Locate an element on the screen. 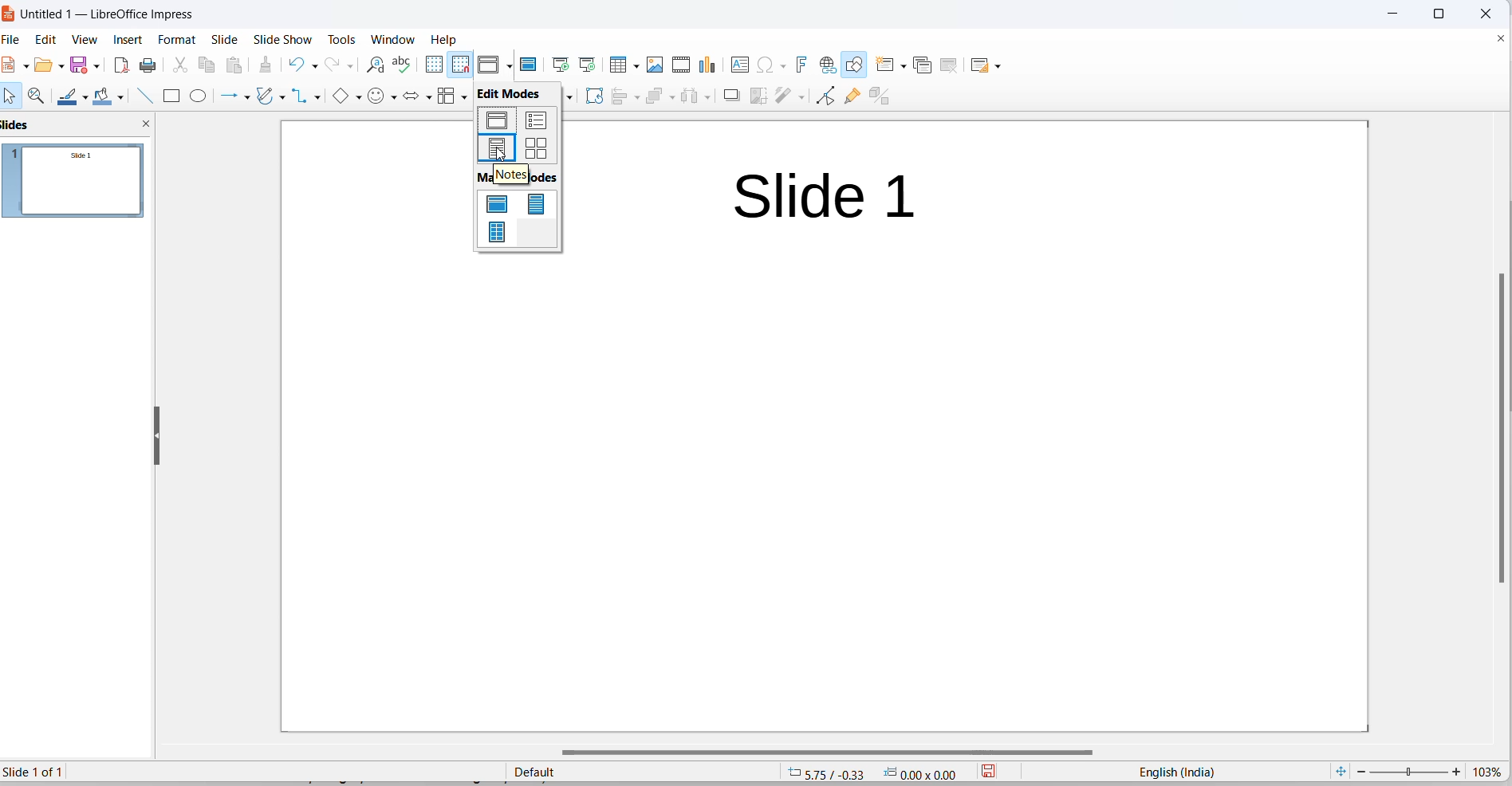 The width and height of the screenshot is (1512, 786). Slide title is located at coordinates (809, 198).